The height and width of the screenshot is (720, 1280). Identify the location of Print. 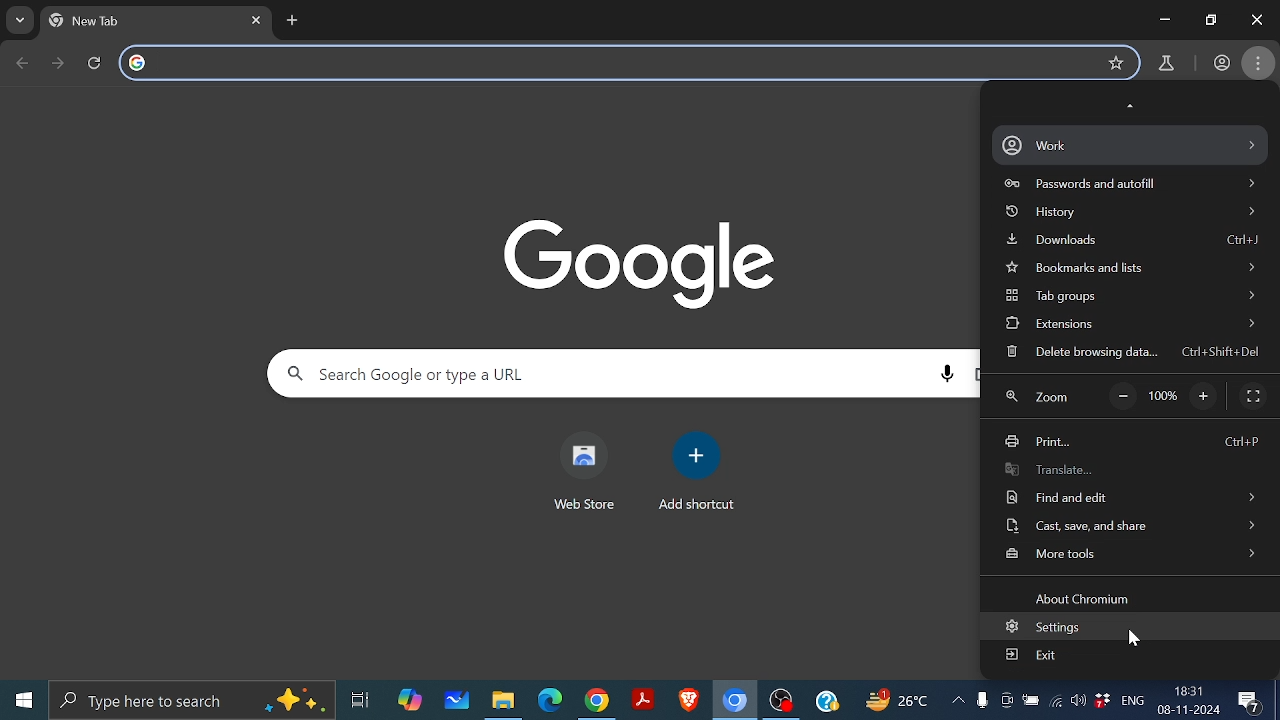
(1133, 444).